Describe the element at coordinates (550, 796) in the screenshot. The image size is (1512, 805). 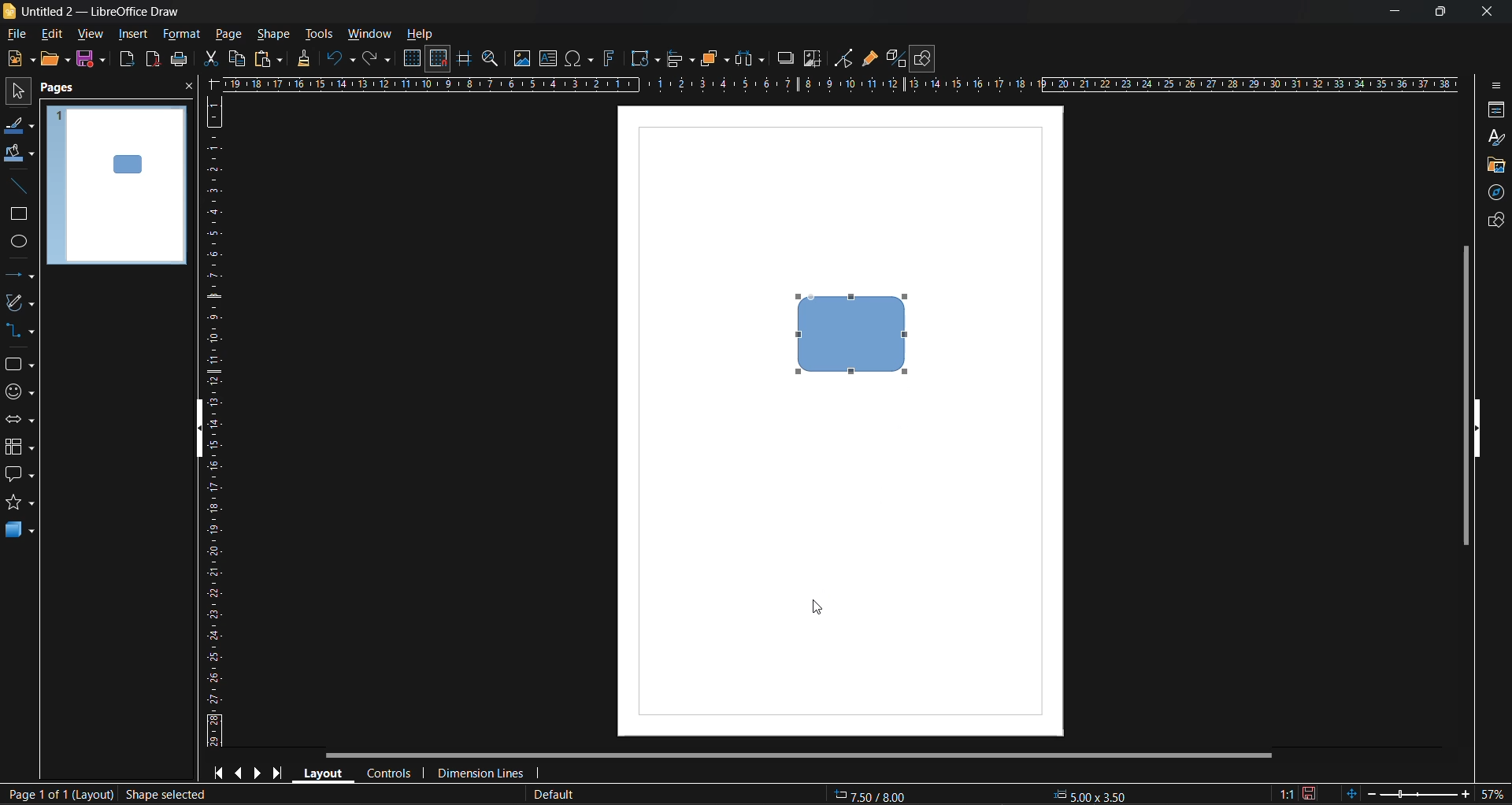
I see `slide master name` at that location.